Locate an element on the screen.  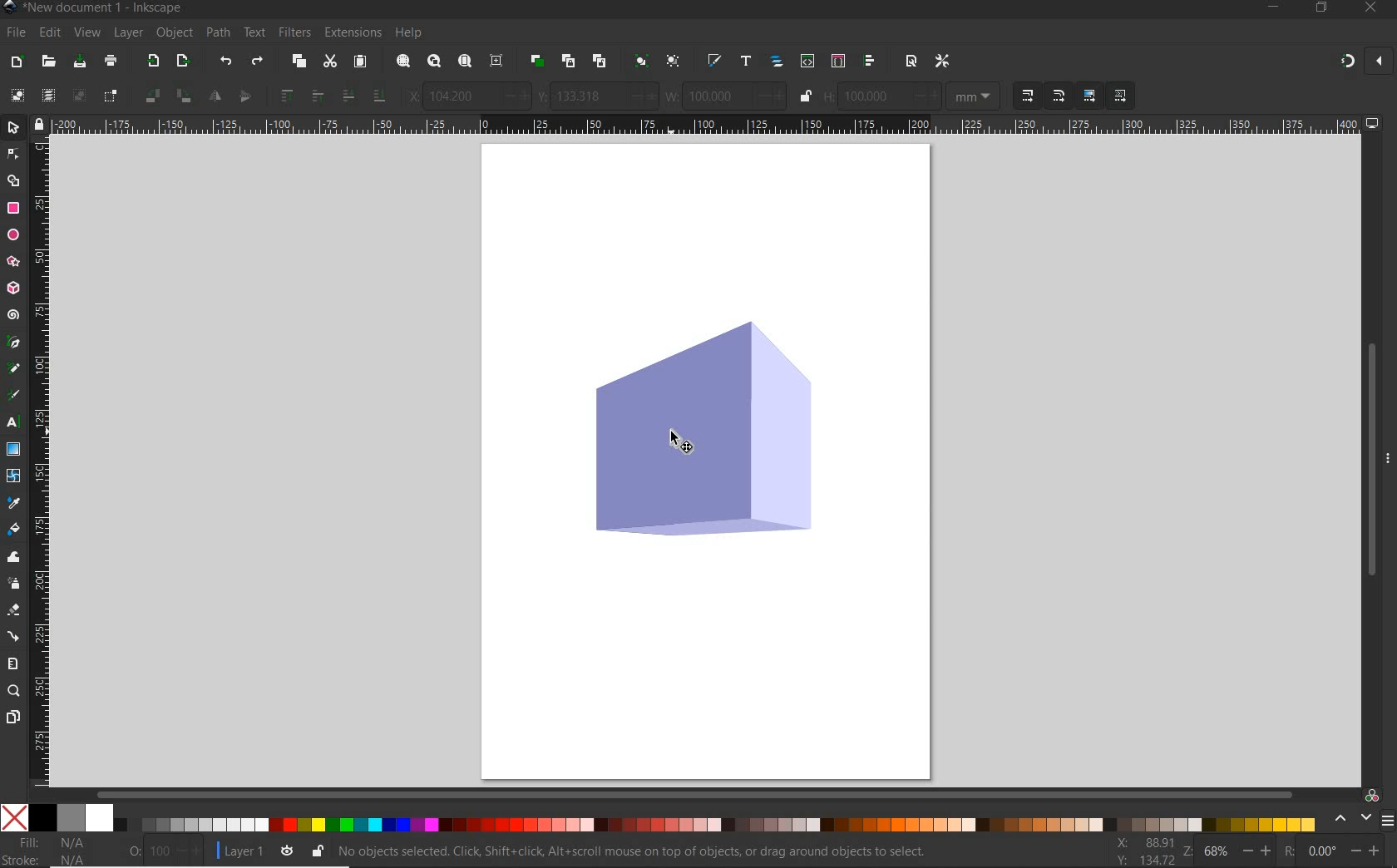
ZOOM DRAWING is located at coordinates (434, 62).